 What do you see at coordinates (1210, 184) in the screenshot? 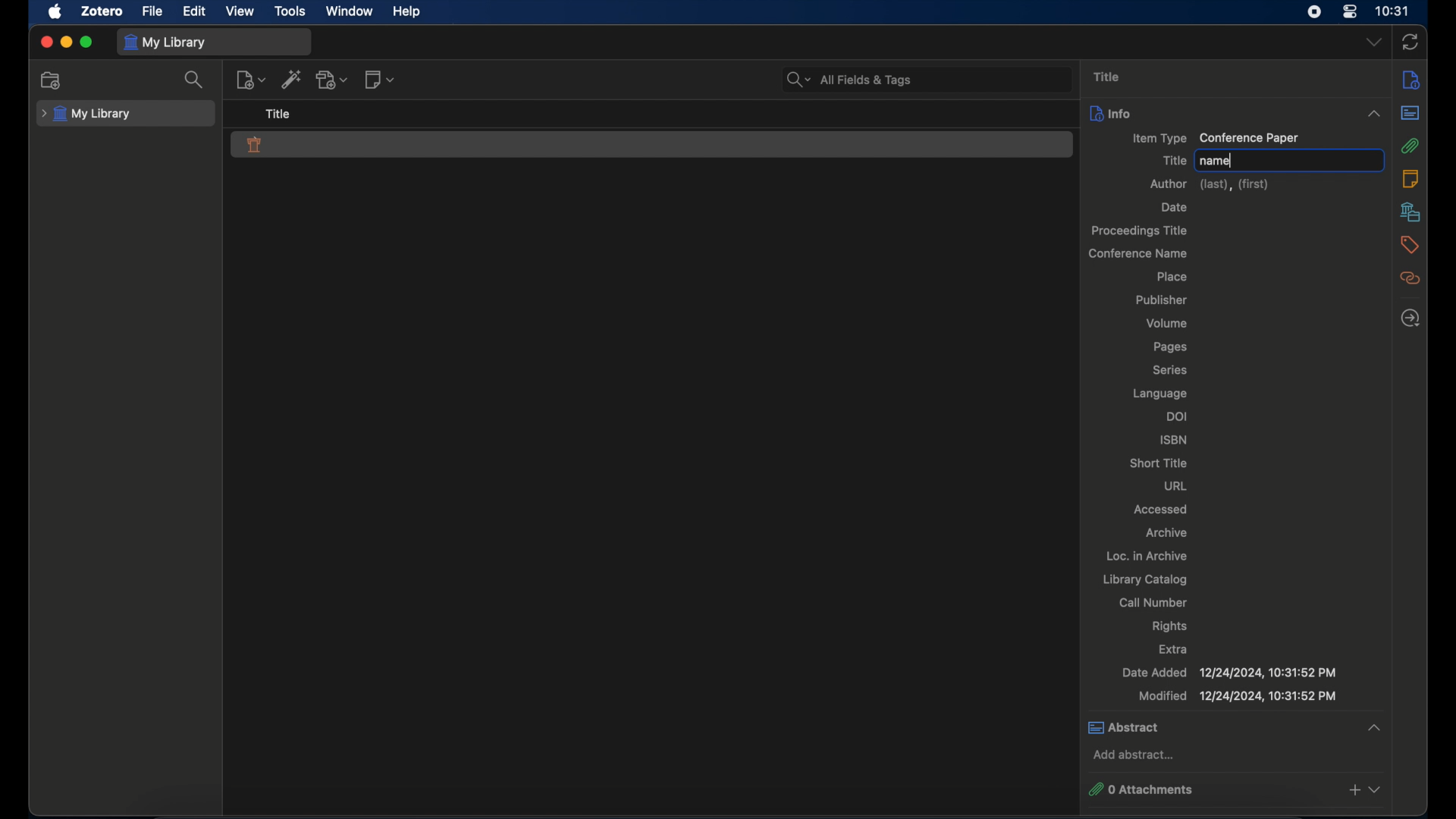
I see `author` at bounding box center [1210, 184].